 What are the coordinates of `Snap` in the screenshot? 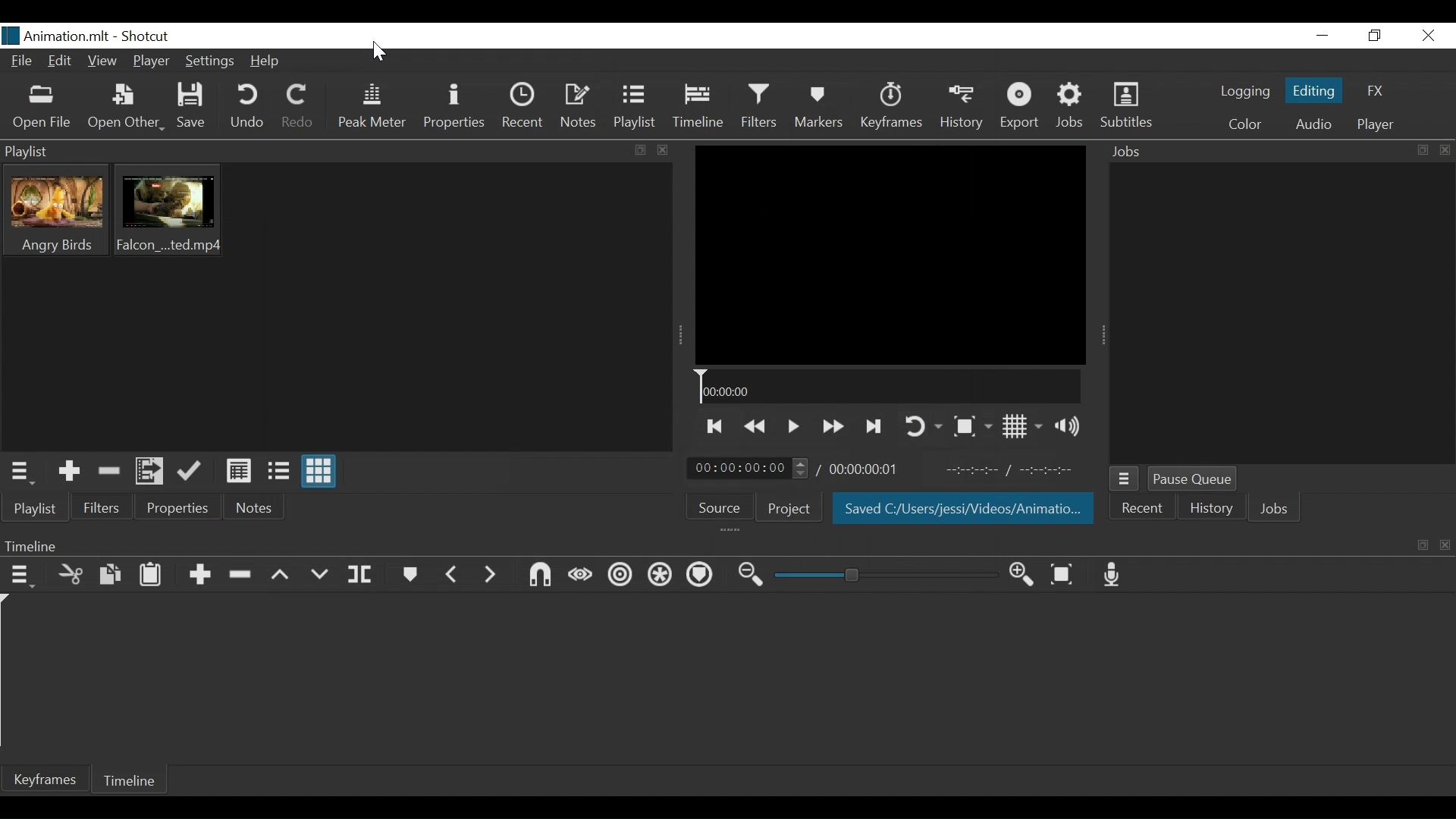 It's located at (540, 577).